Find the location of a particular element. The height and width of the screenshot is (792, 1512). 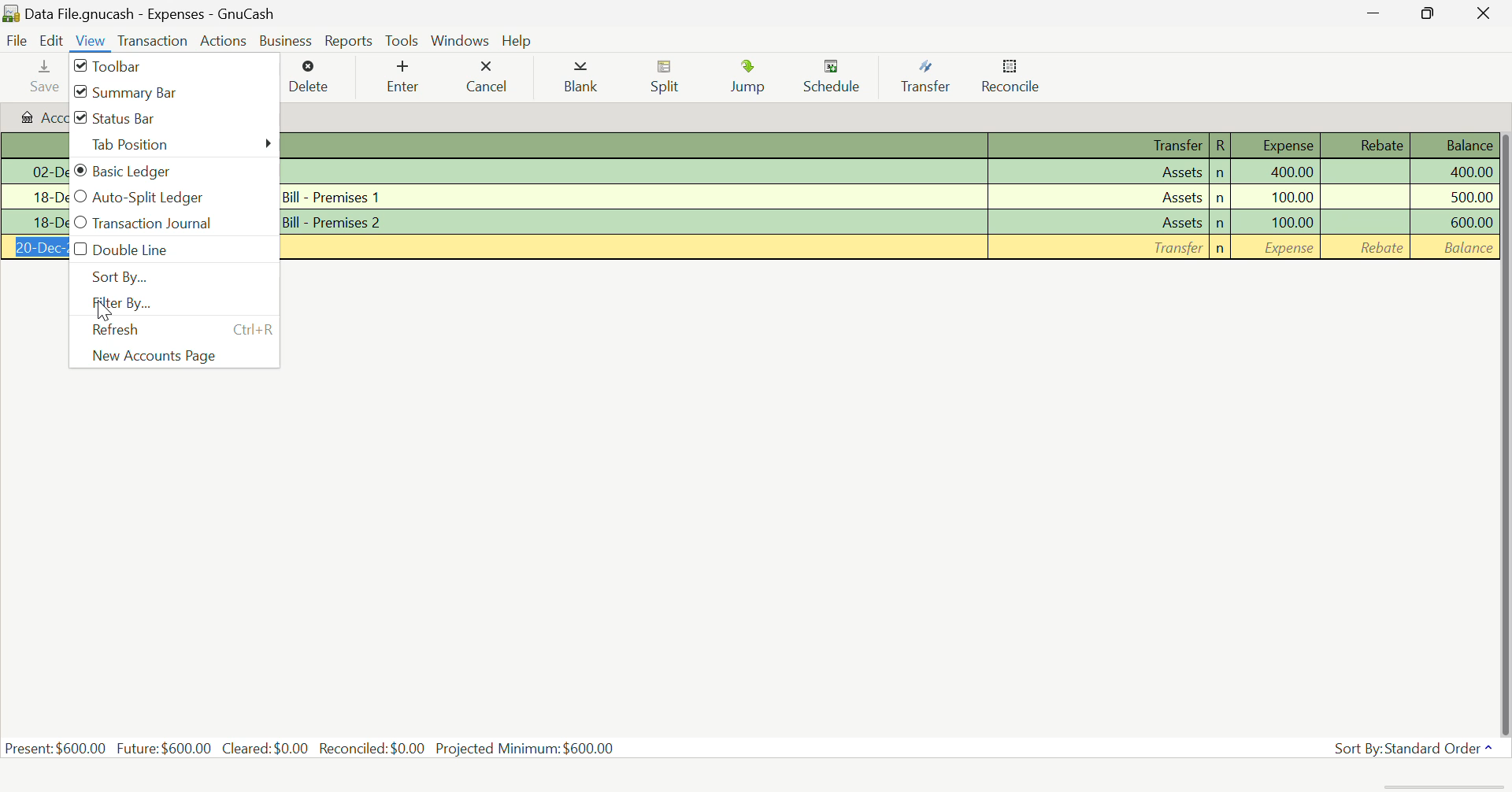

Description is located at coordinates (632, 145).